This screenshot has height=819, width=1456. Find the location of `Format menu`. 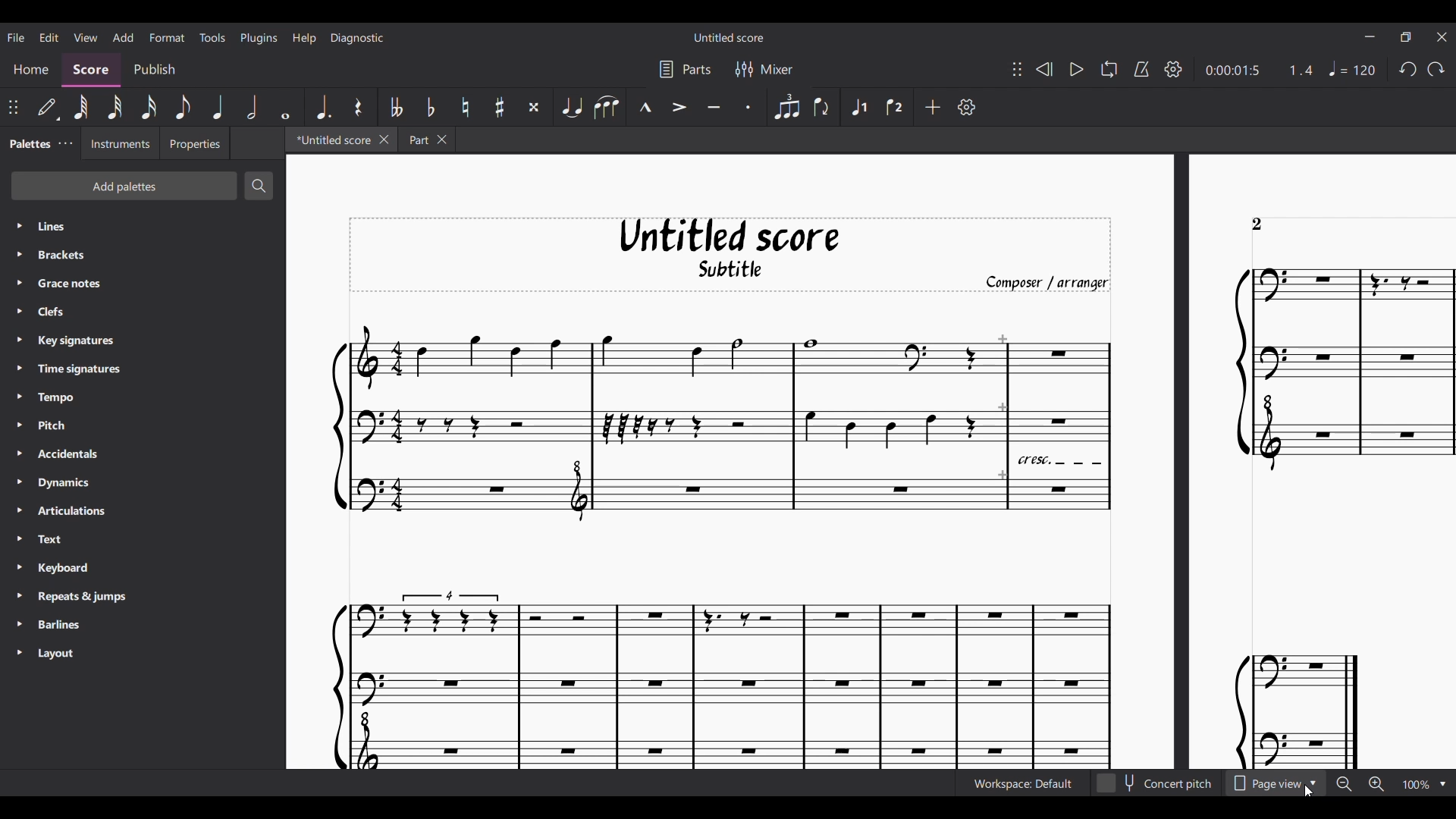

Format menu is located at coordinates (168, 36).